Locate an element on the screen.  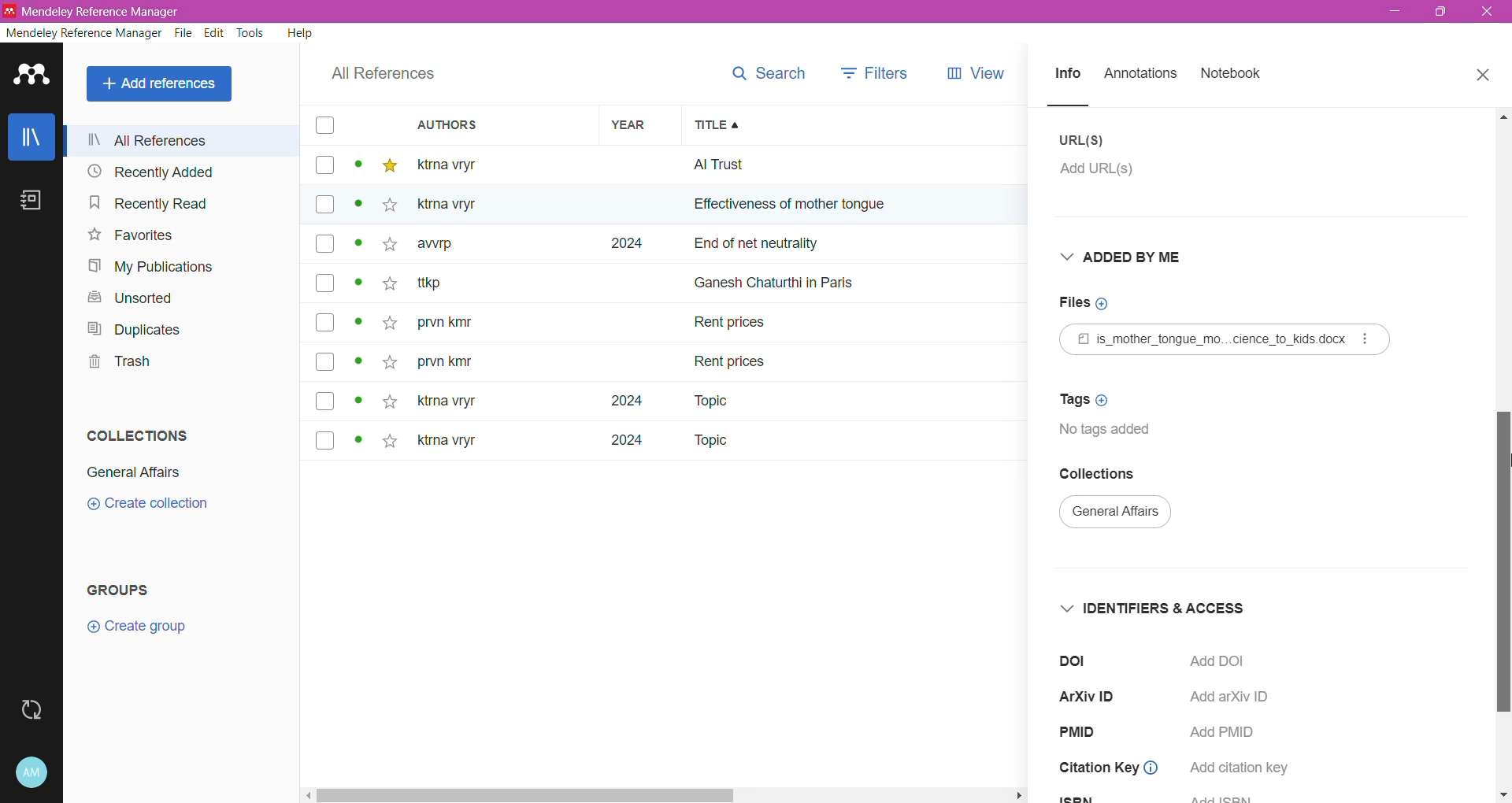
2024 is located at coordinates (623, 244).